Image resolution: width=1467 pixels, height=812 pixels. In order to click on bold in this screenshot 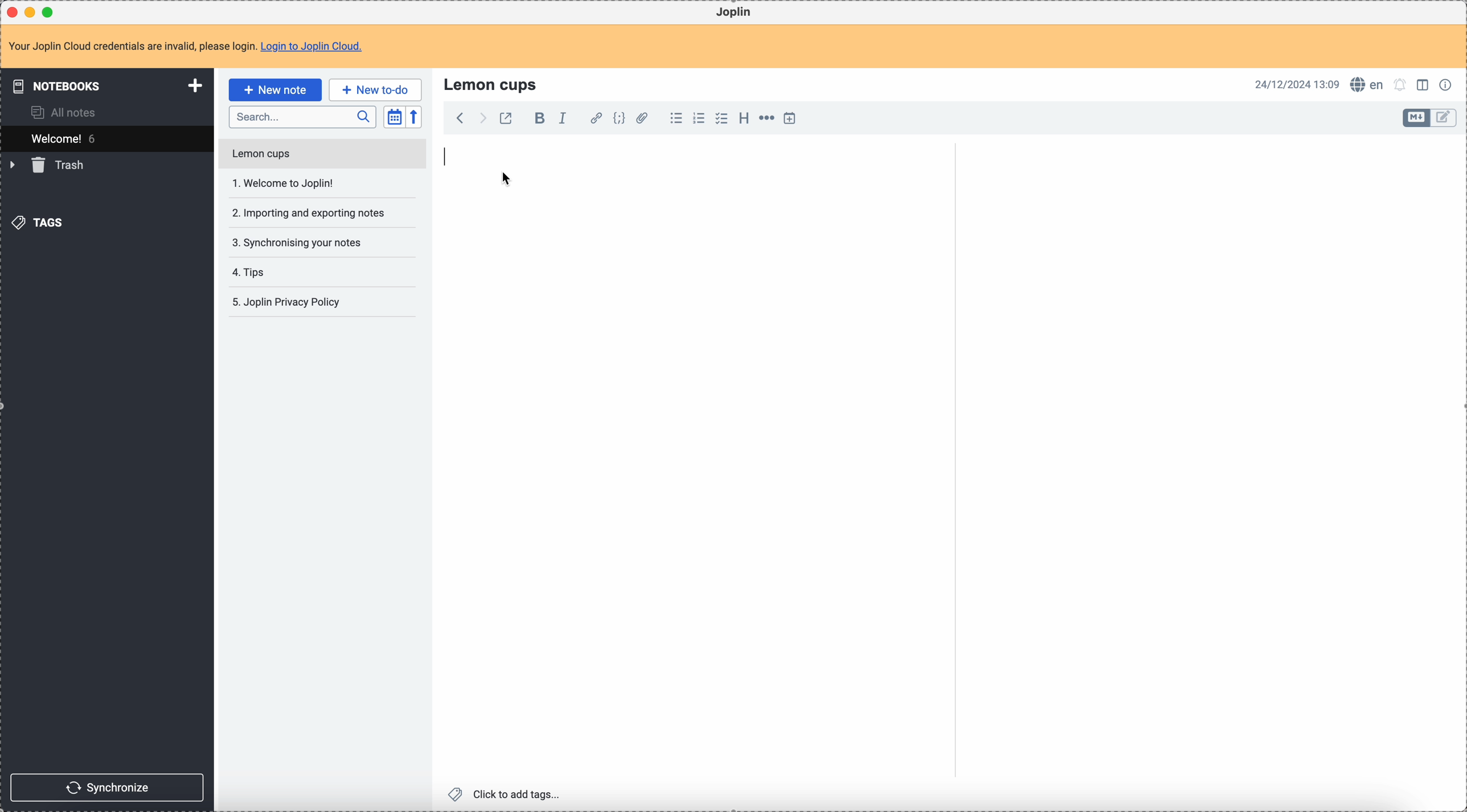, I will do `click(536, 119)`.